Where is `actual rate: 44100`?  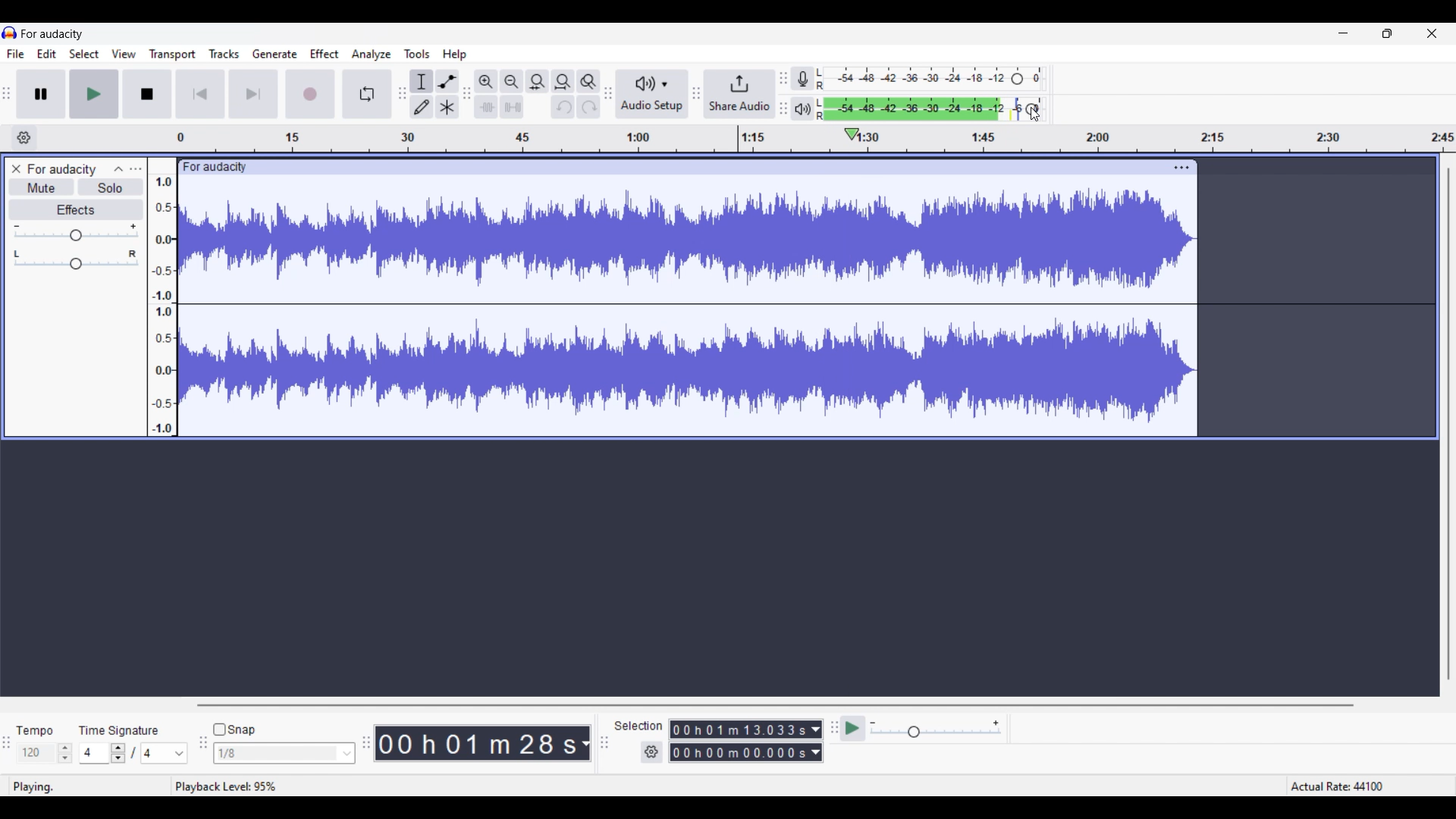 actual rate: 44100 is located at coordinates (1336, 787).